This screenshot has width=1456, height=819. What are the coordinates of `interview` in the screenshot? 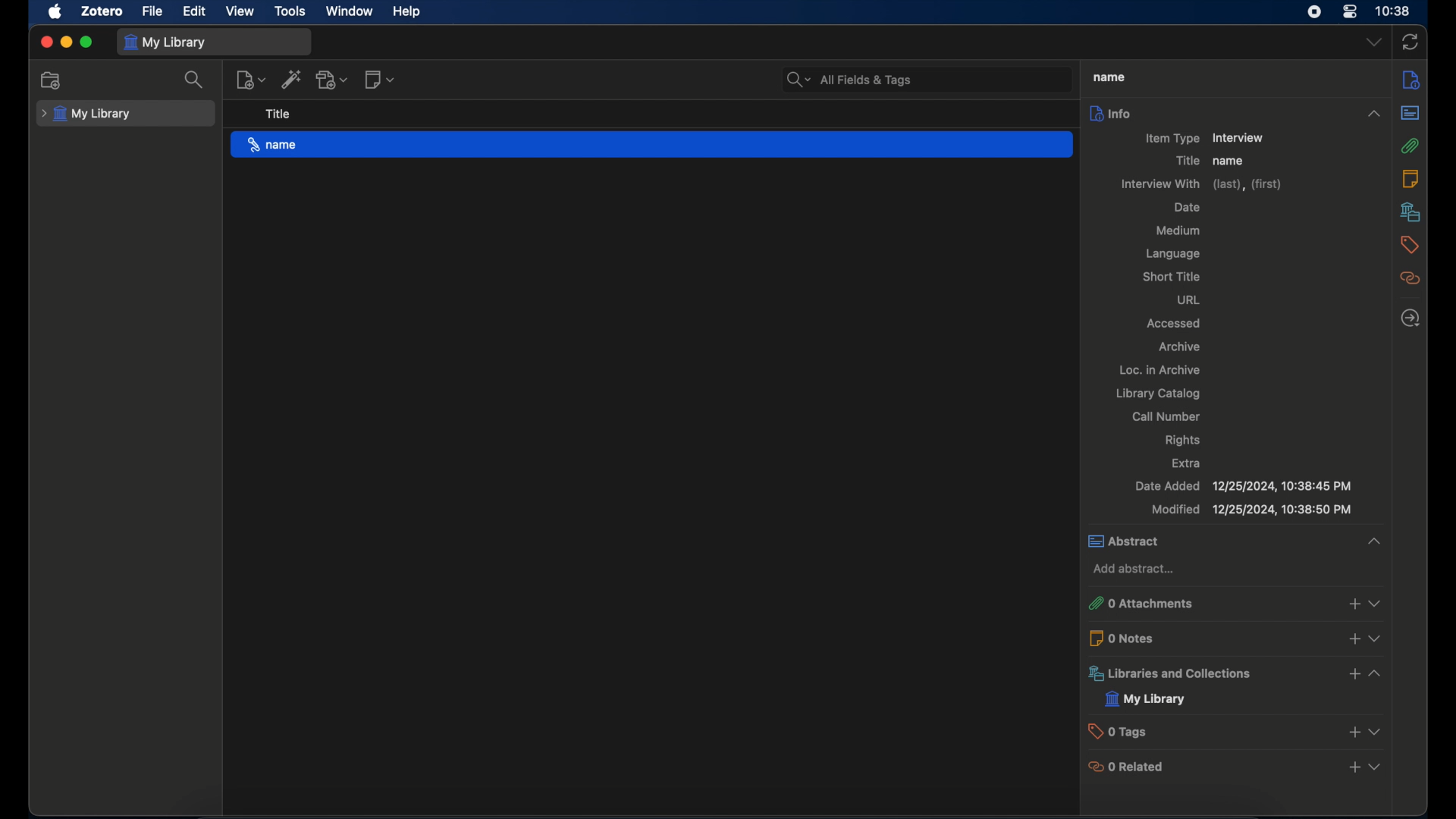 It's located at (1241, 137).